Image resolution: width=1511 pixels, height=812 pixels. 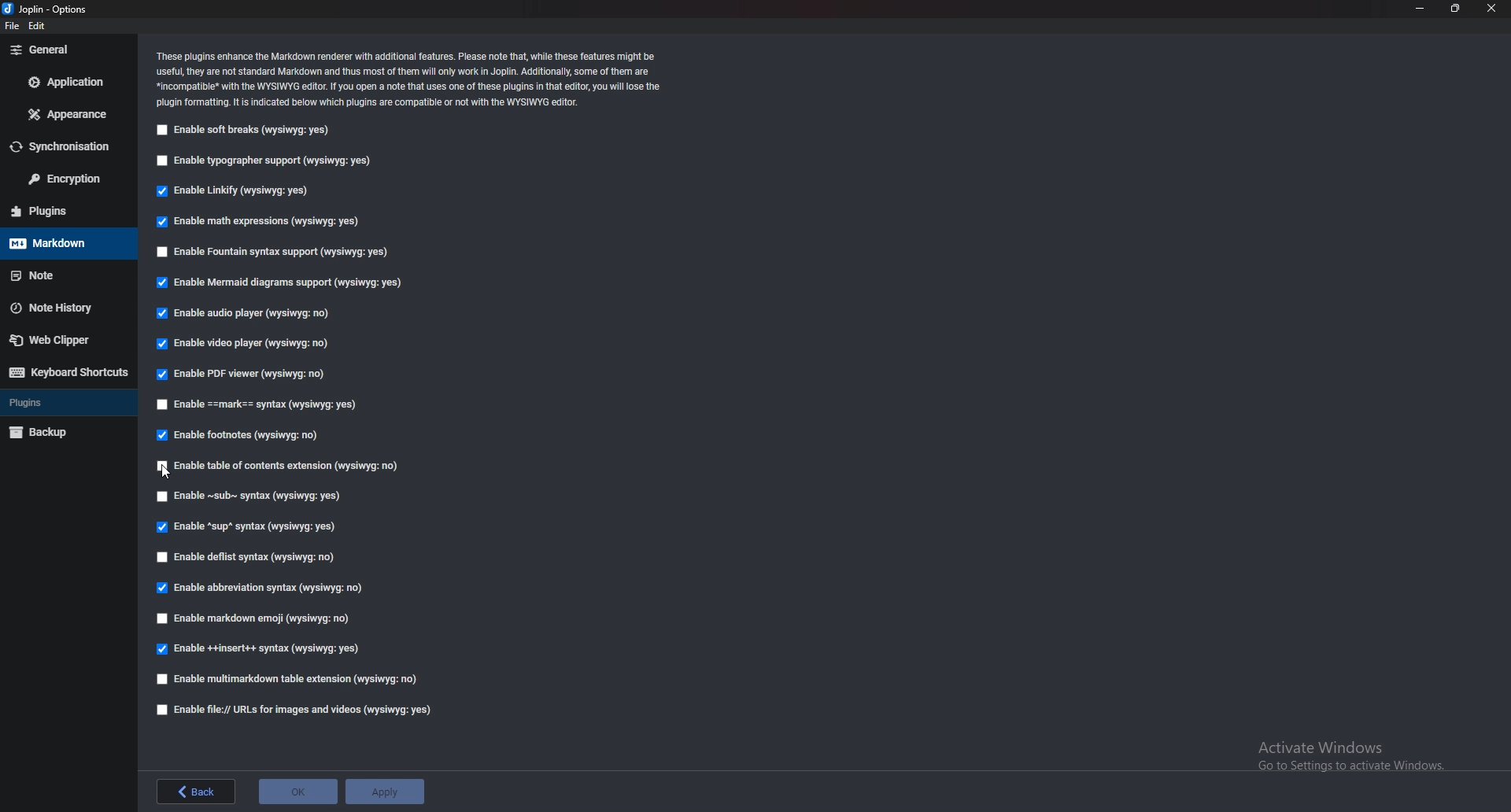 I want to click on enable table of contents extension, so click(x=286, y=467).